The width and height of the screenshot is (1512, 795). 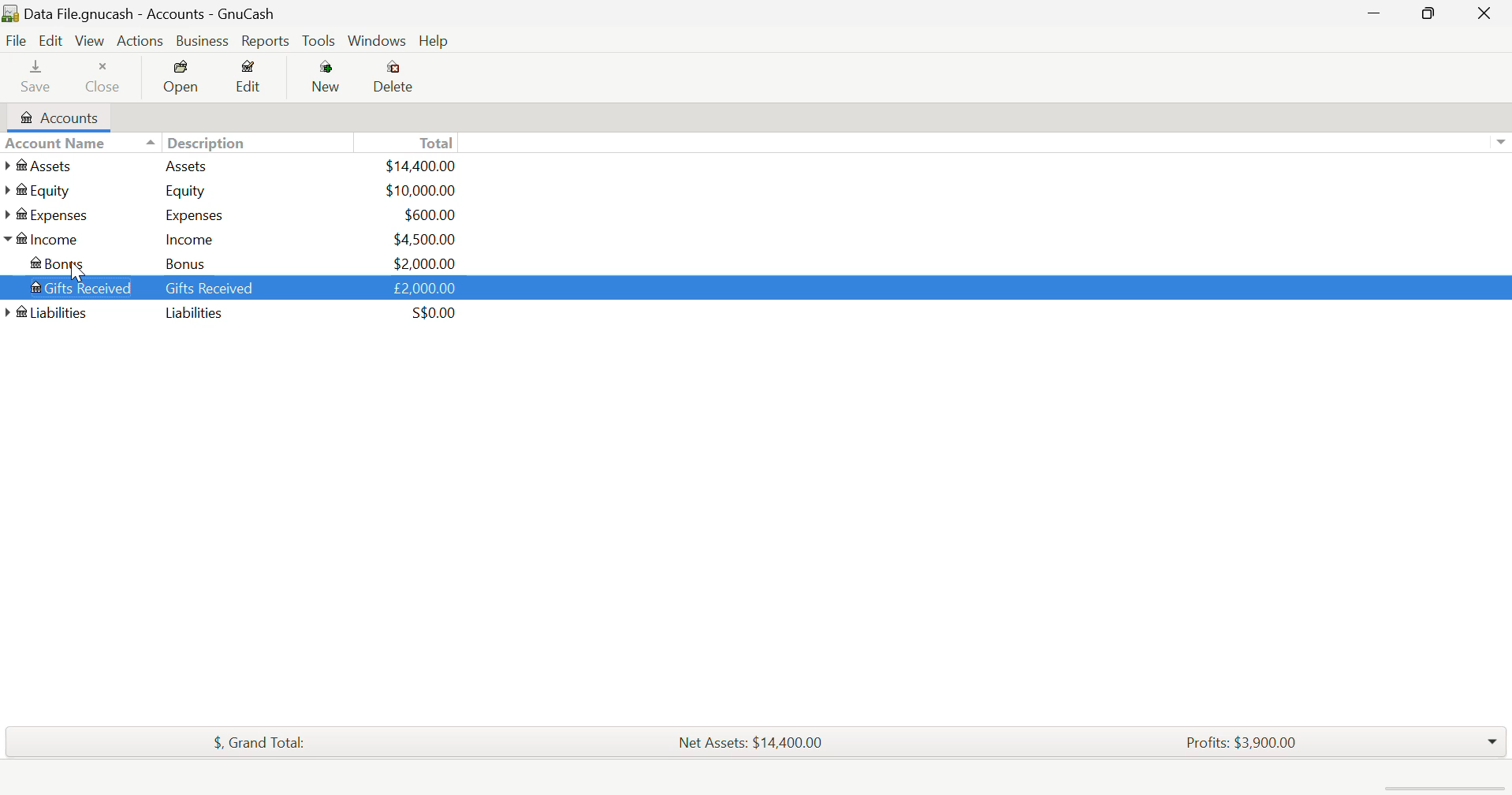 I want to click on File, so click(x=15, y=40).